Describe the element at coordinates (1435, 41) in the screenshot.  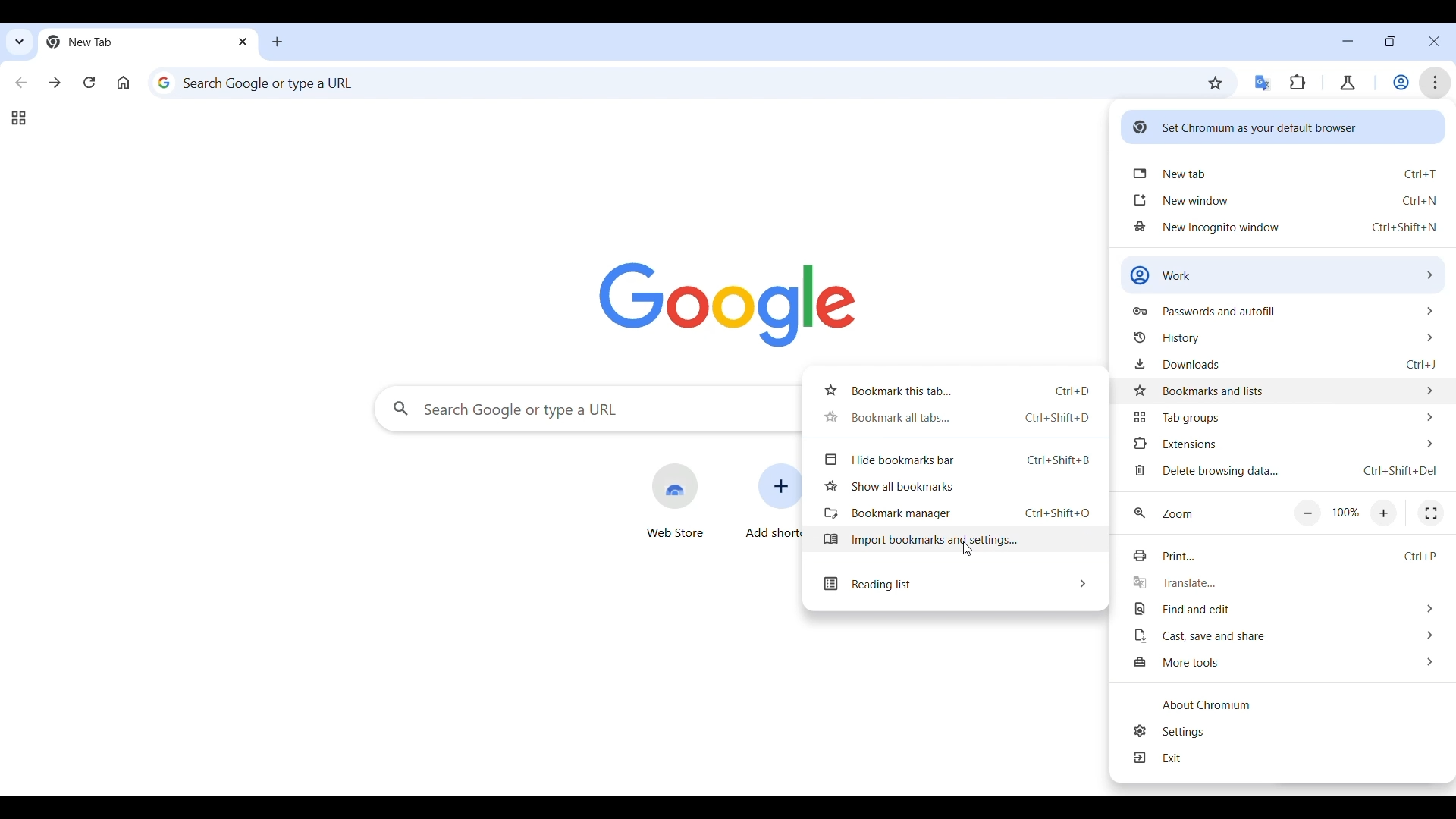
I see `Close interface` at that location.